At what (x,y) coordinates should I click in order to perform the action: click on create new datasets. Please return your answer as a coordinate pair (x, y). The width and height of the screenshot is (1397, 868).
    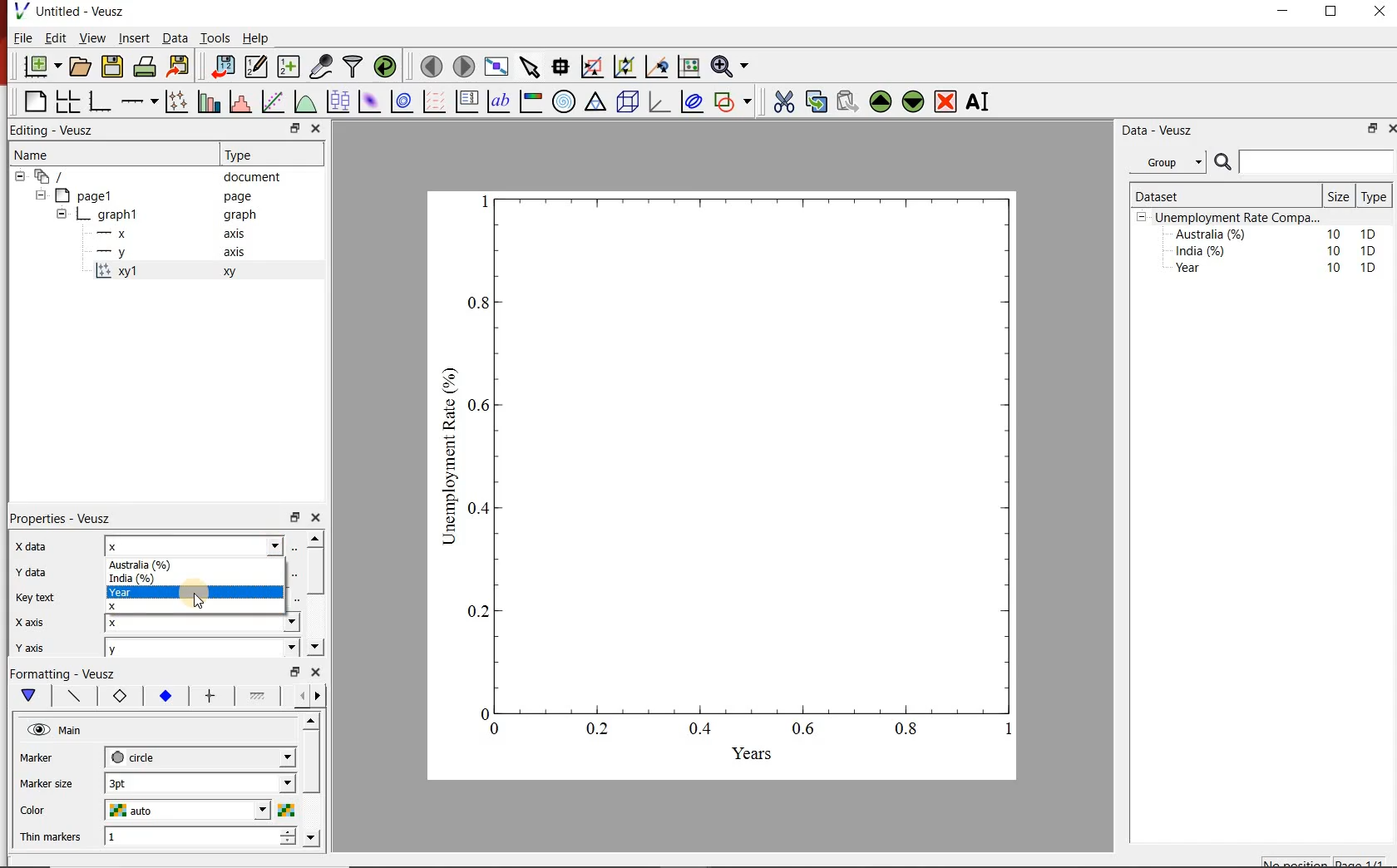
    Looking at the image, I should click on (288, 67).